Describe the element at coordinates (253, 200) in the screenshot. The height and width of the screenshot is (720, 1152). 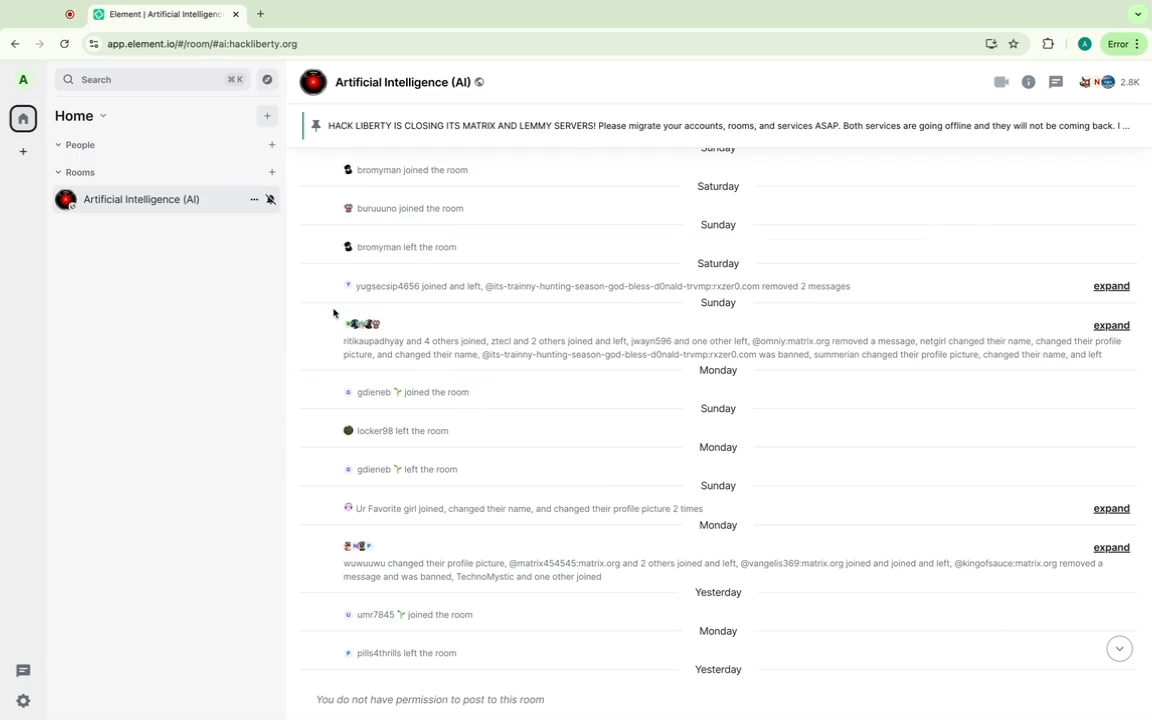
I see `Room options` at that location.